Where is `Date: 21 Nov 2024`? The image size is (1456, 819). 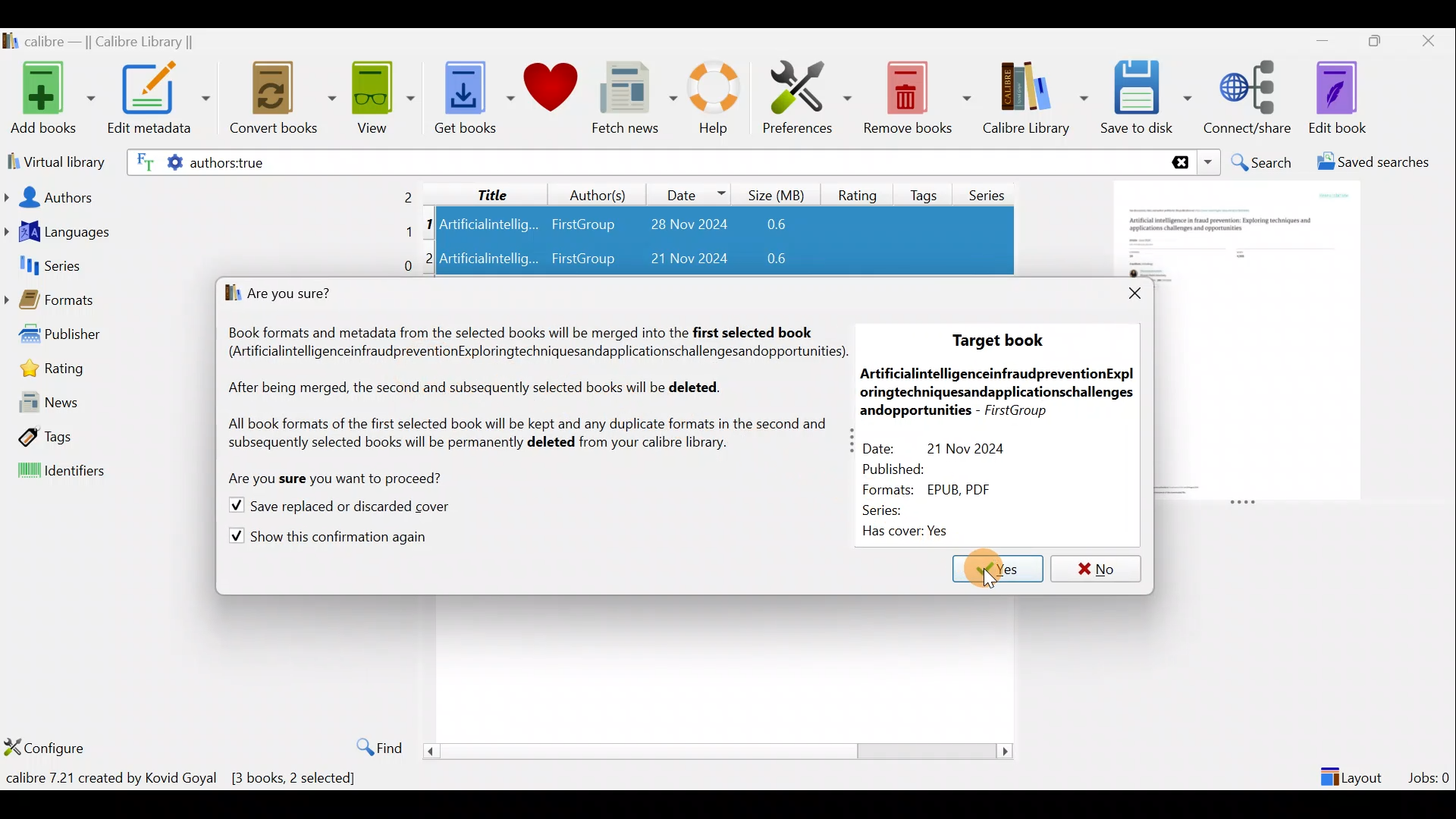
Date: 21 Nov 2024 is located at coordinates (954, 446).